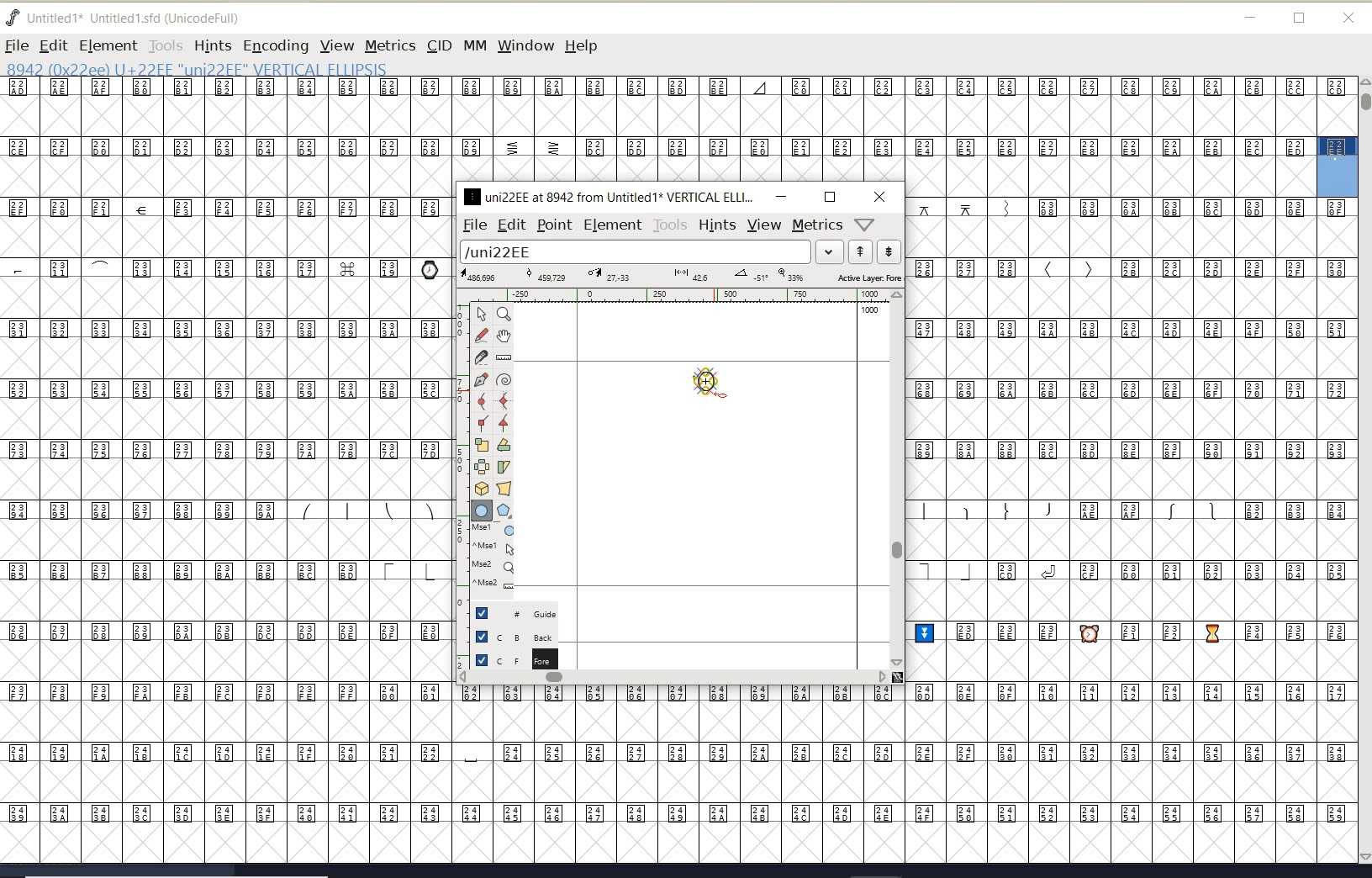 This screenshot has height=878, width=1372. Describe the element at coordinates (438, 45) in the screenshot. I see `CID` at that location.